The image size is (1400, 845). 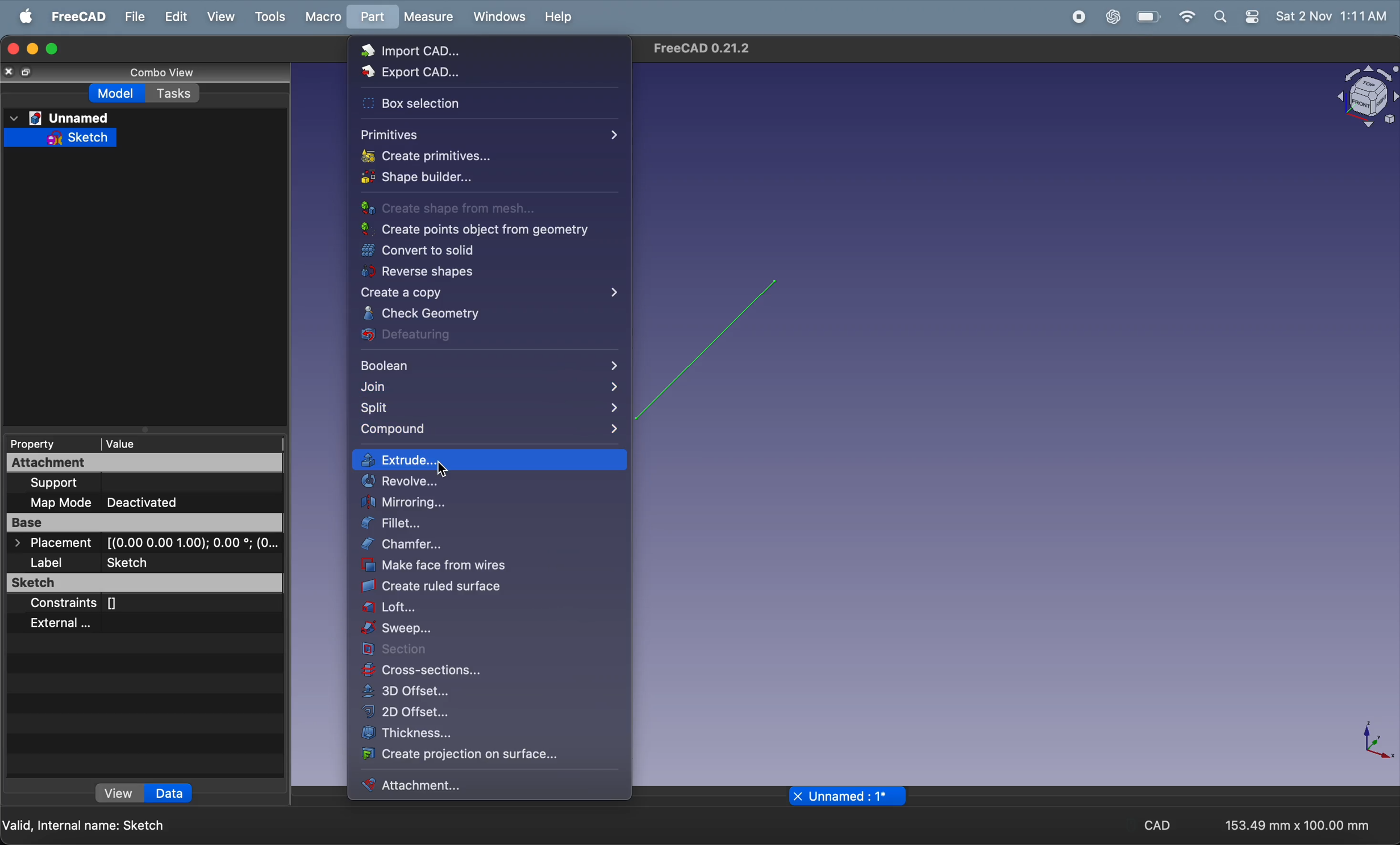 I want to click on create projection on surface..., so click(x=480, y=756).